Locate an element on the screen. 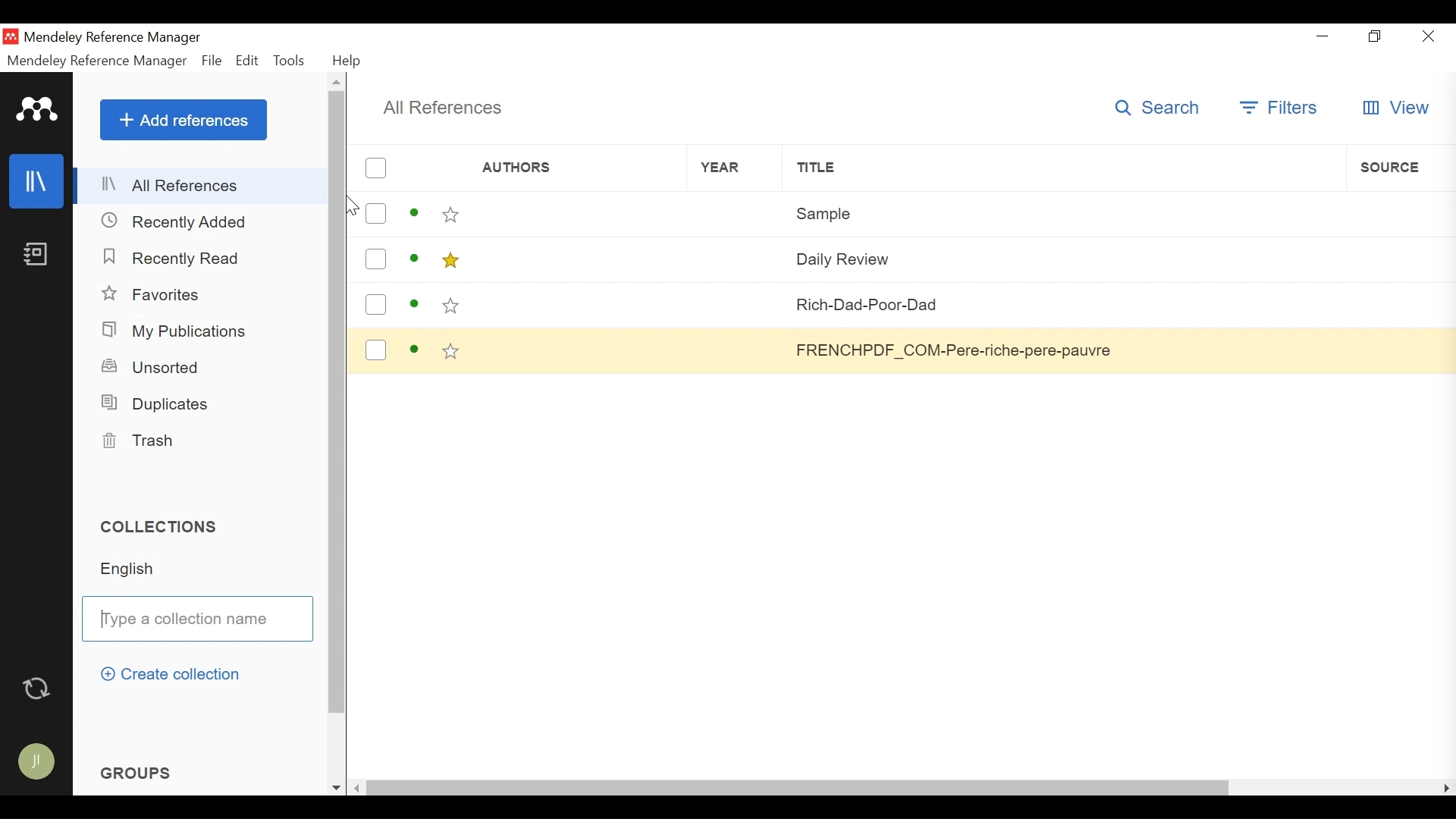 This screenshot has width=1456, height=819. Year is located at coordinates (734, 214).